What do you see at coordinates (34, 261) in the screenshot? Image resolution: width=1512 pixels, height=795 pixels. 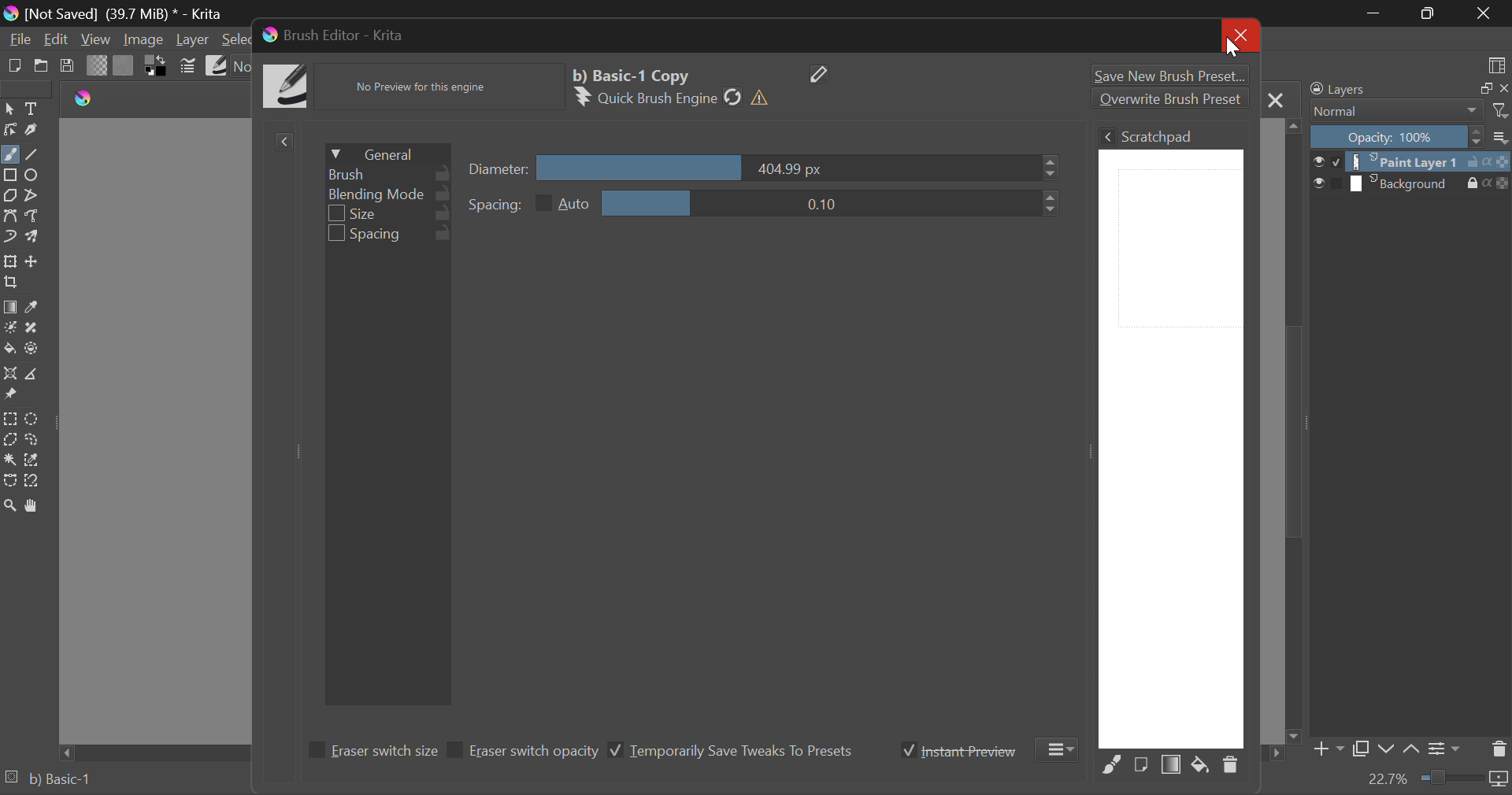 I see `Move Layer` at bounding box center [34, 261].